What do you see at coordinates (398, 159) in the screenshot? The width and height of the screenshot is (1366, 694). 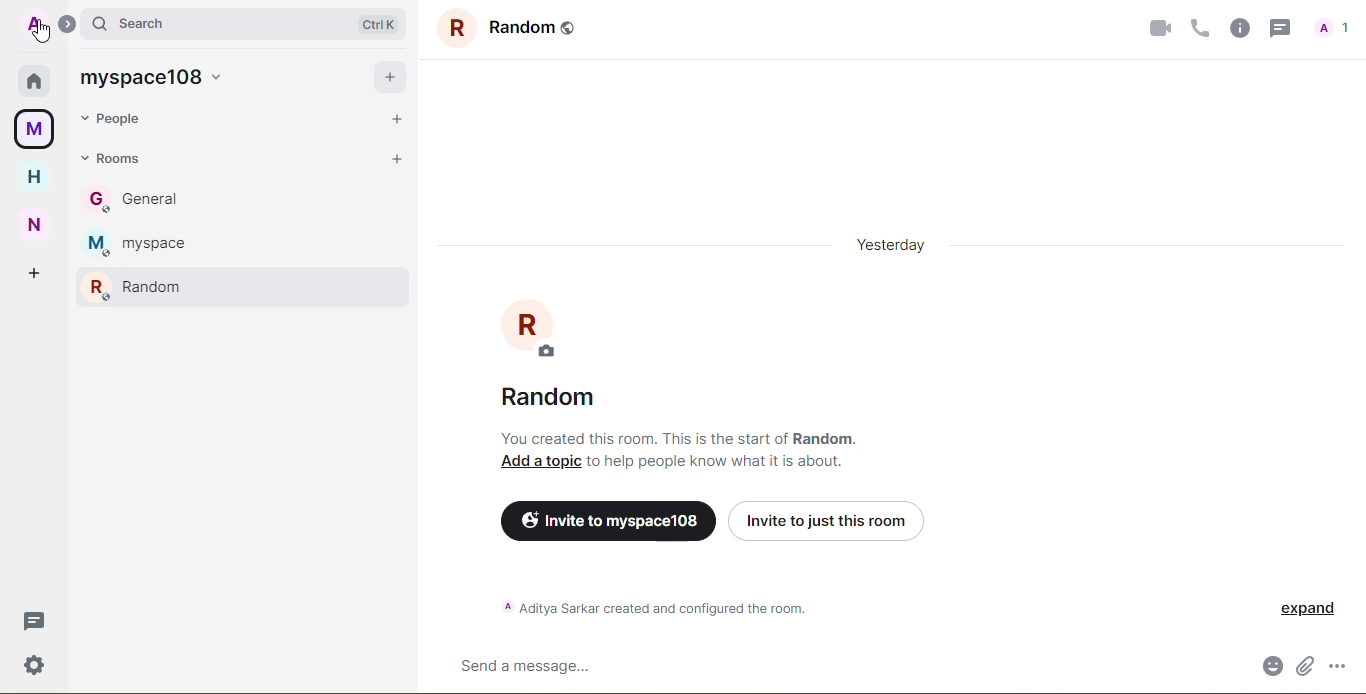 I see `add` at bounding box center [398, 159].